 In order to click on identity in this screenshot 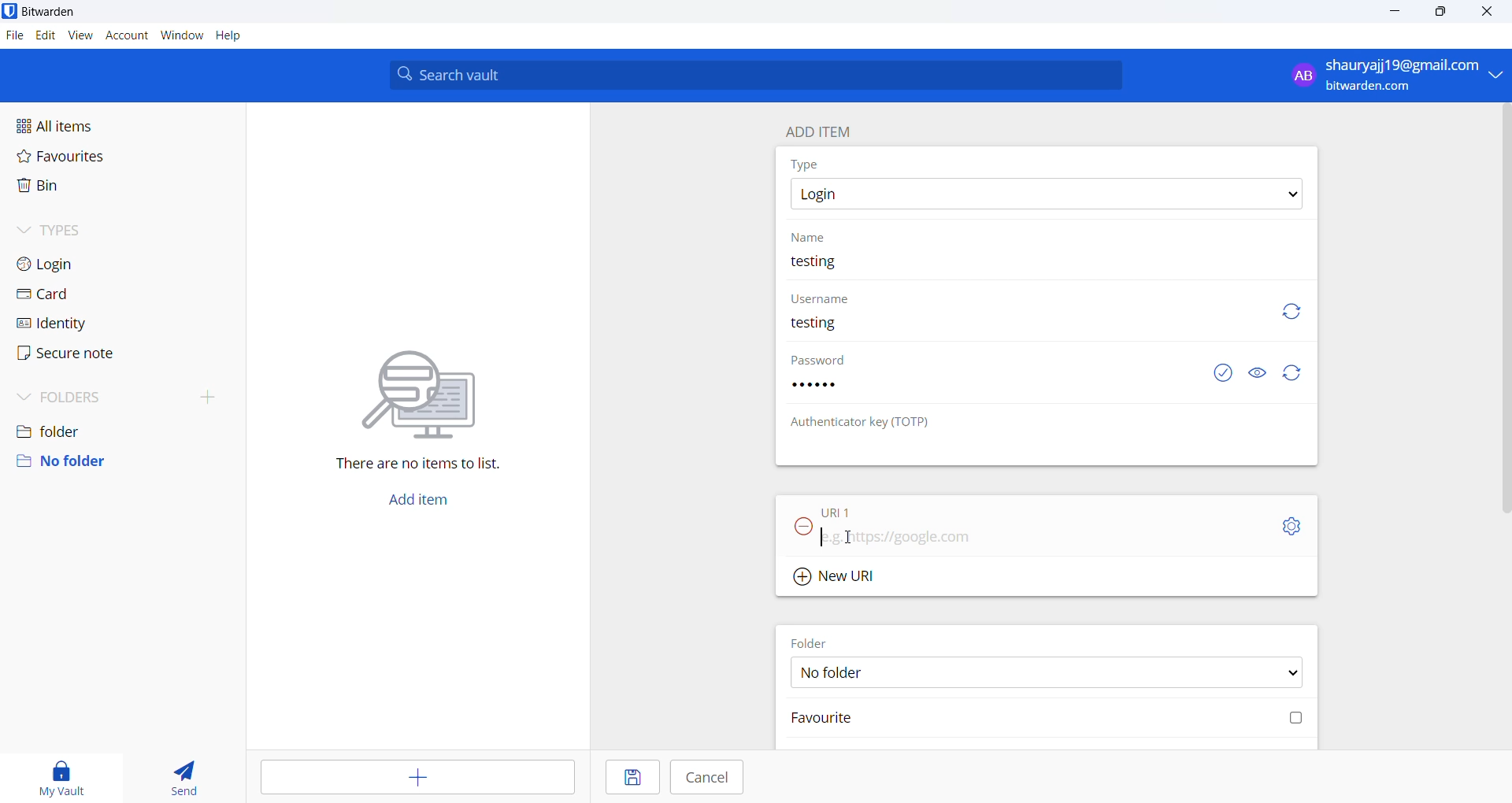, I will do `click(76, 324)`.